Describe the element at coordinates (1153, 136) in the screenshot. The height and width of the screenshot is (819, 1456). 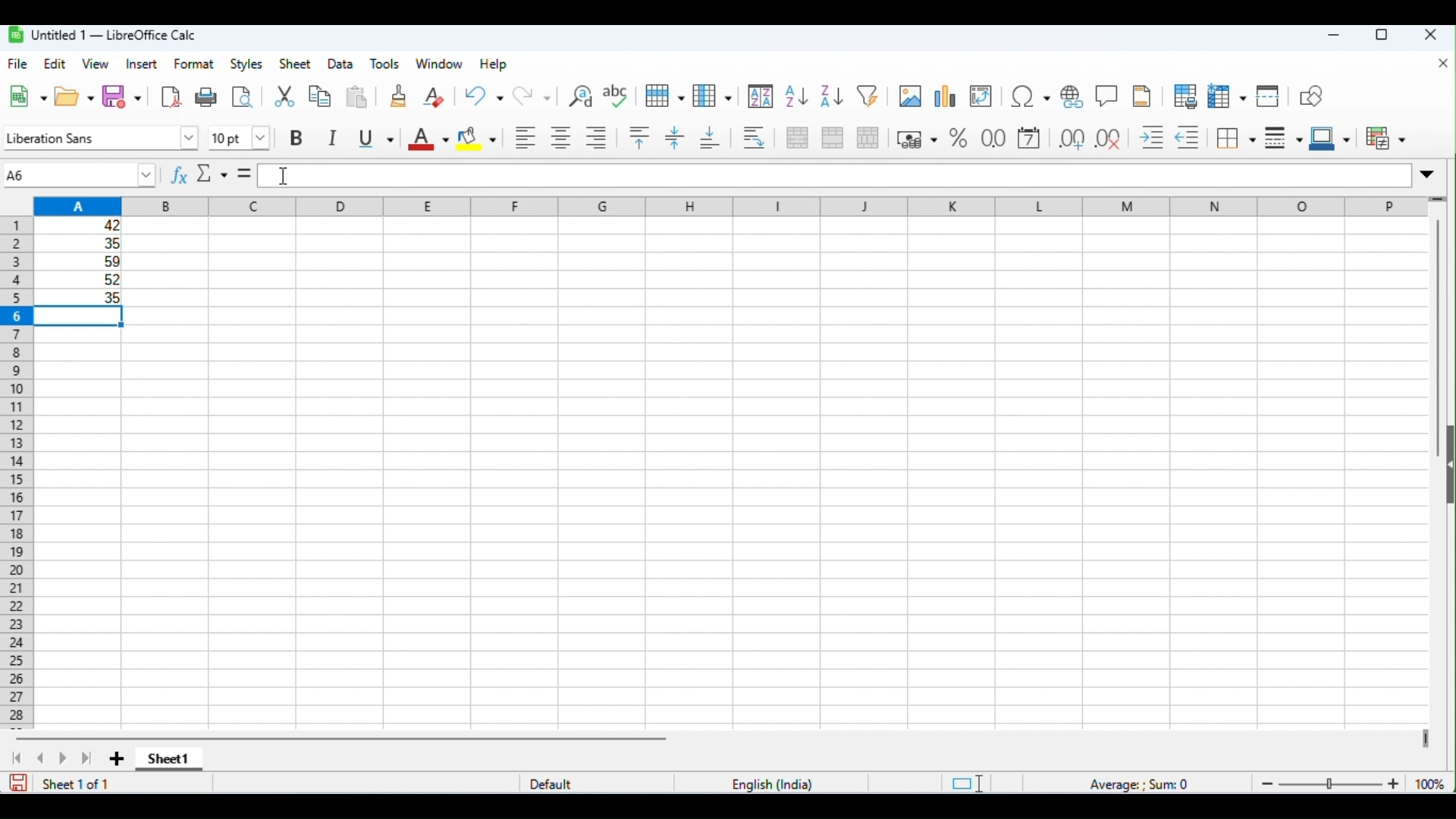
I see `increase indent` at that location.